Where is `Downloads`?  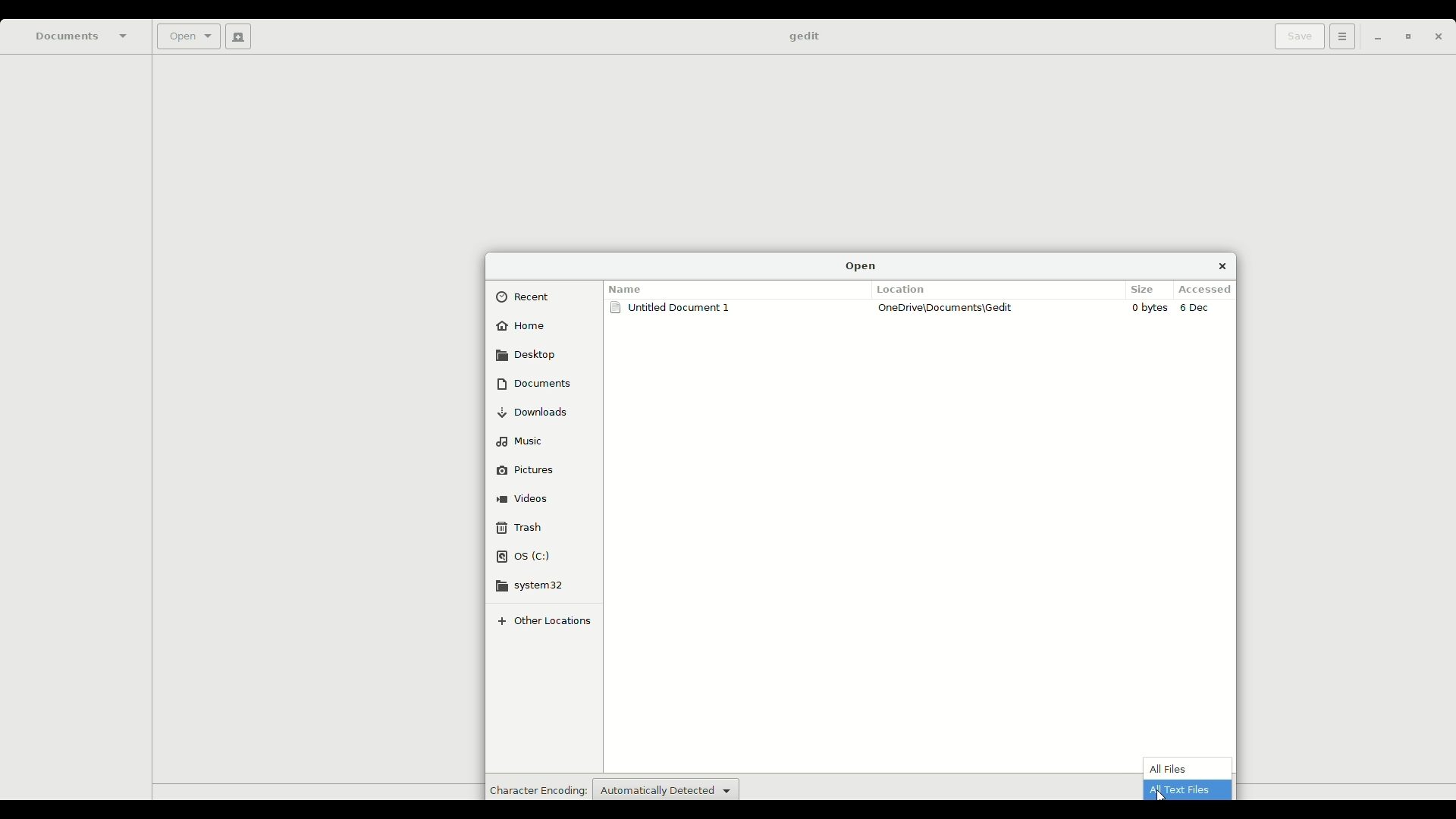 Downloads is located at coordinates (539, 412).